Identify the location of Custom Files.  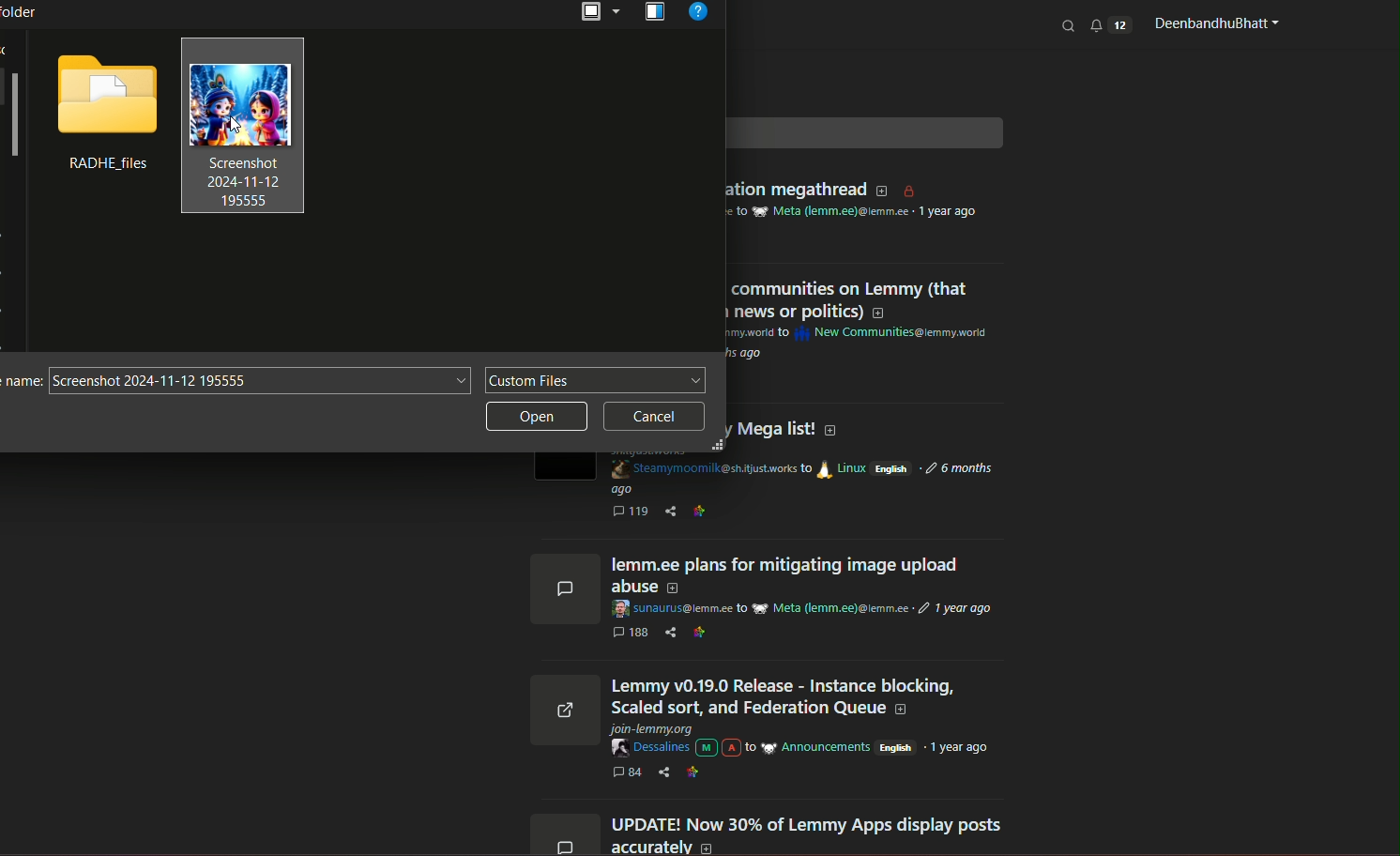
(596, 381).